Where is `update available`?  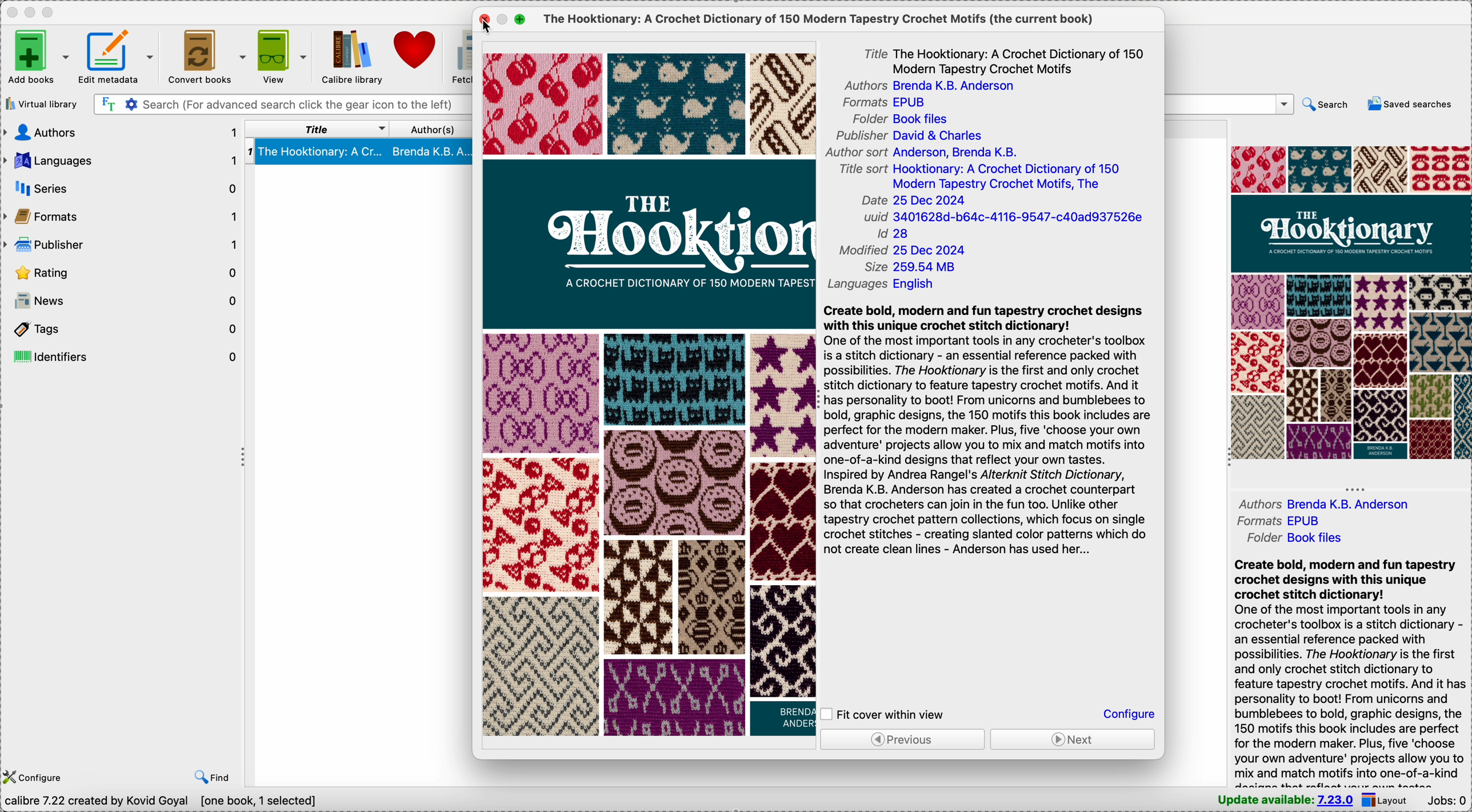
update available is located at coordinates (1282, 802).